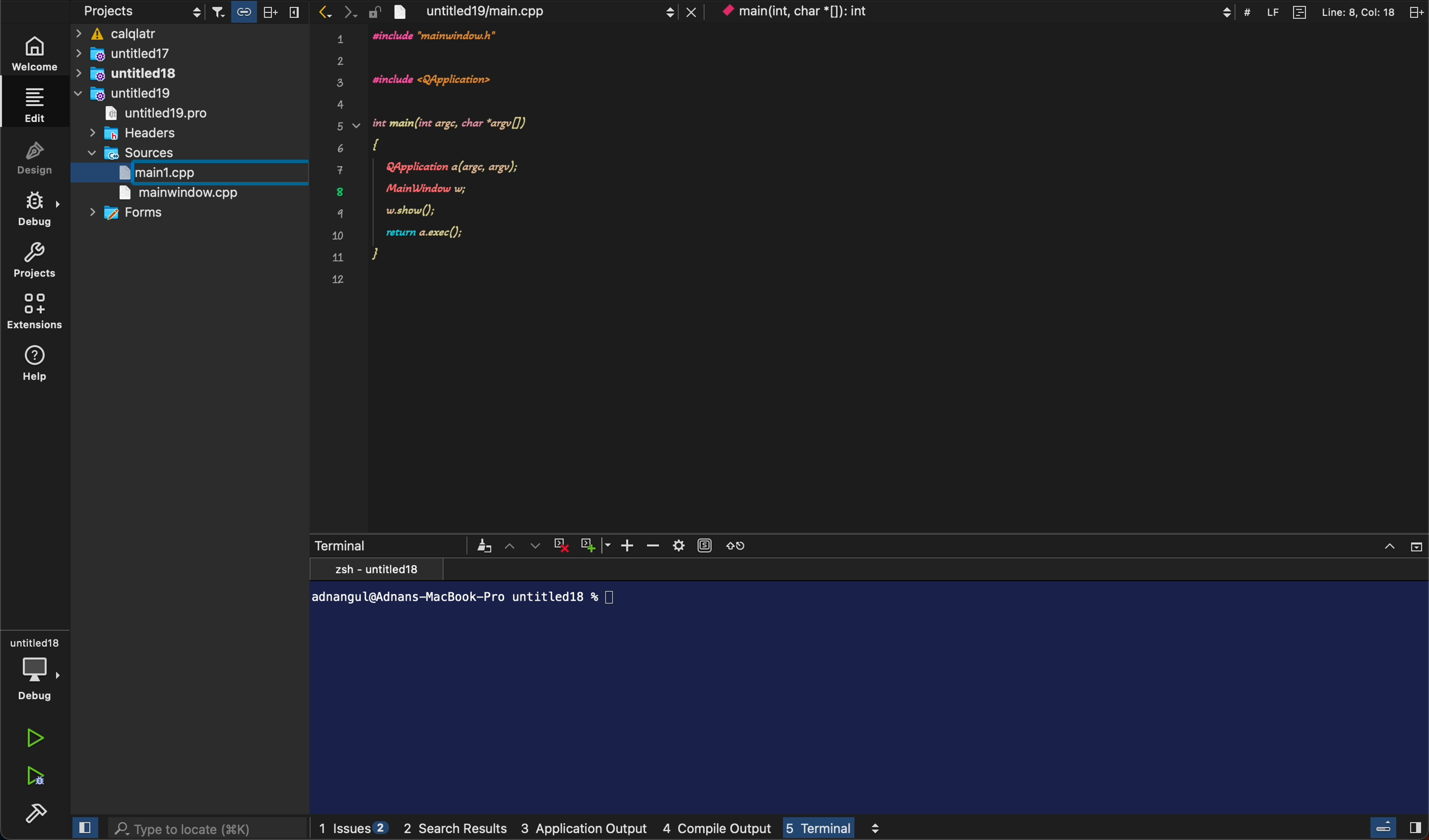 Image resolution: width=1429 pixels, height=840 pixels. I want to click on weLcome, so click(40, 52).